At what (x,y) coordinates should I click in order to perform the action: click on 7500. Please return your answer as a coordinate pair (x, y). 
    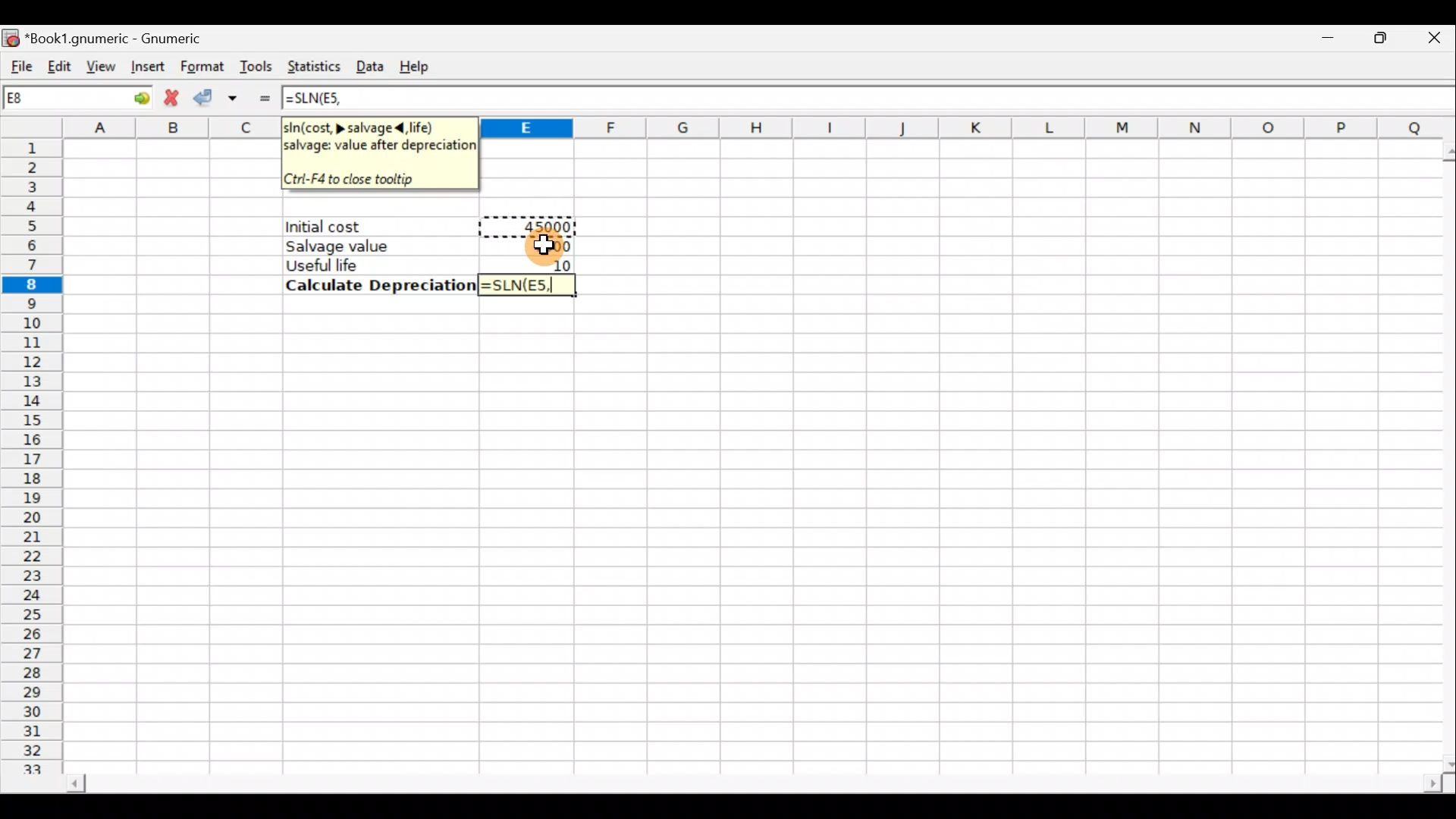
    Looking at the image, I should click on (545, 246).